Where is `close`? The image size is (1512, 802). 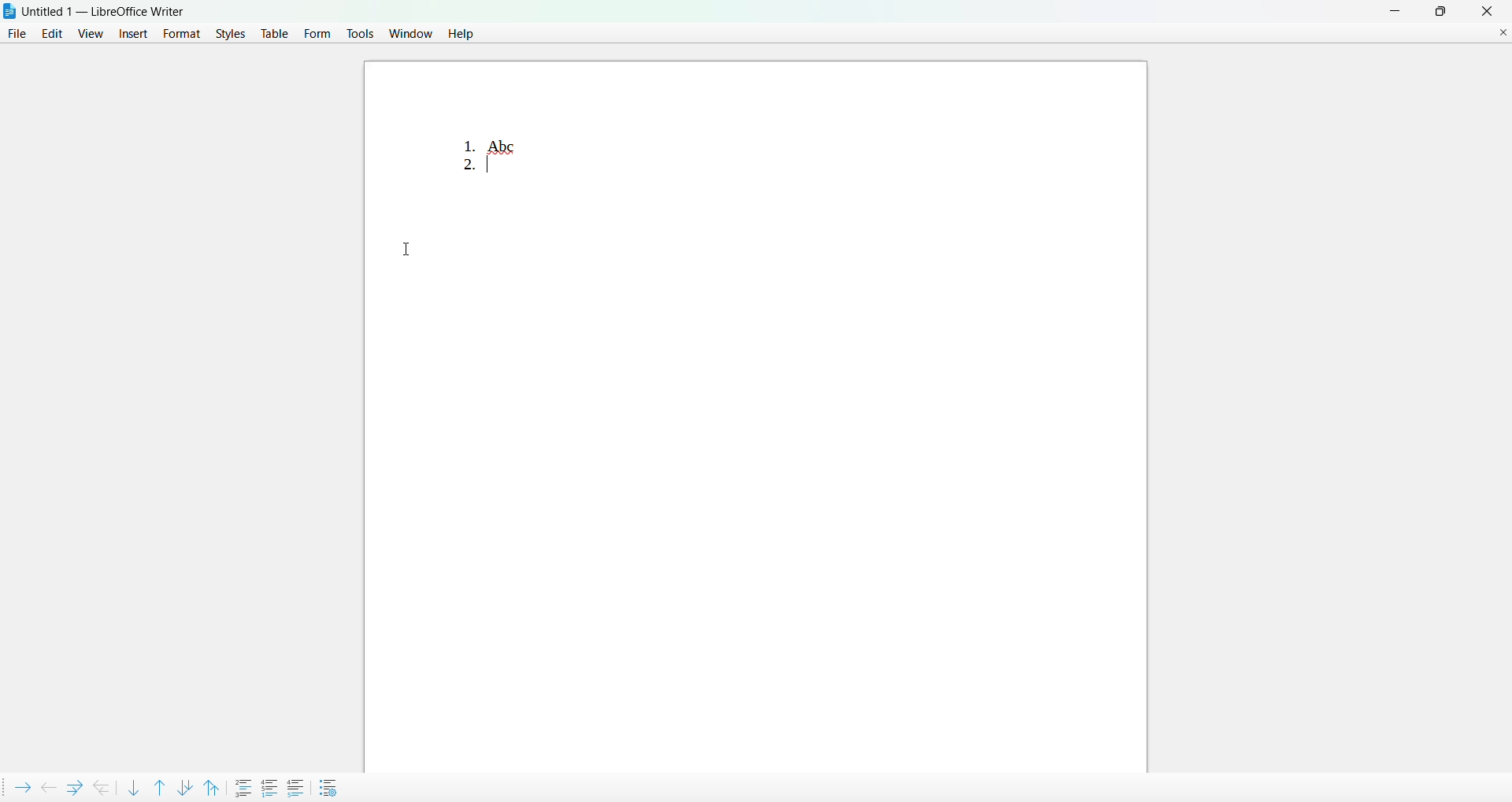
close is located at coordinates (1486, 11).